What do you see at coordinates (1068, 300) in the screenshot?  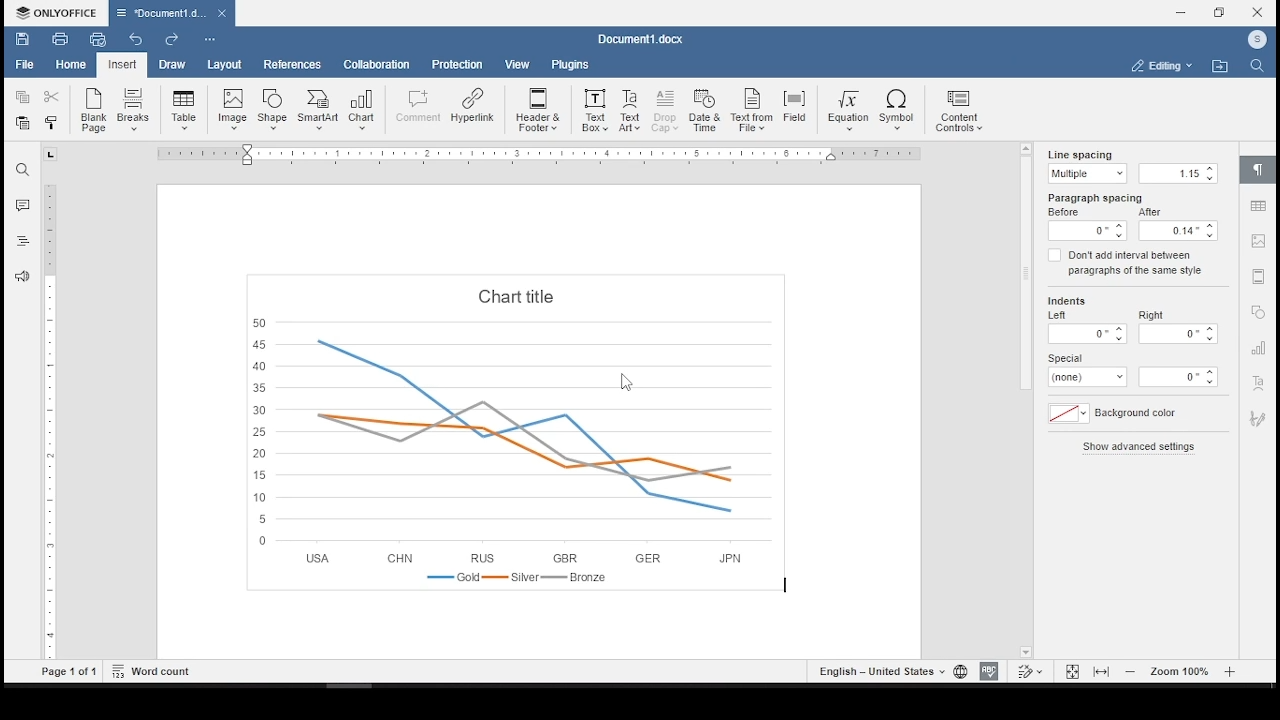 I see `indents` at bounding box center [1068, 300].